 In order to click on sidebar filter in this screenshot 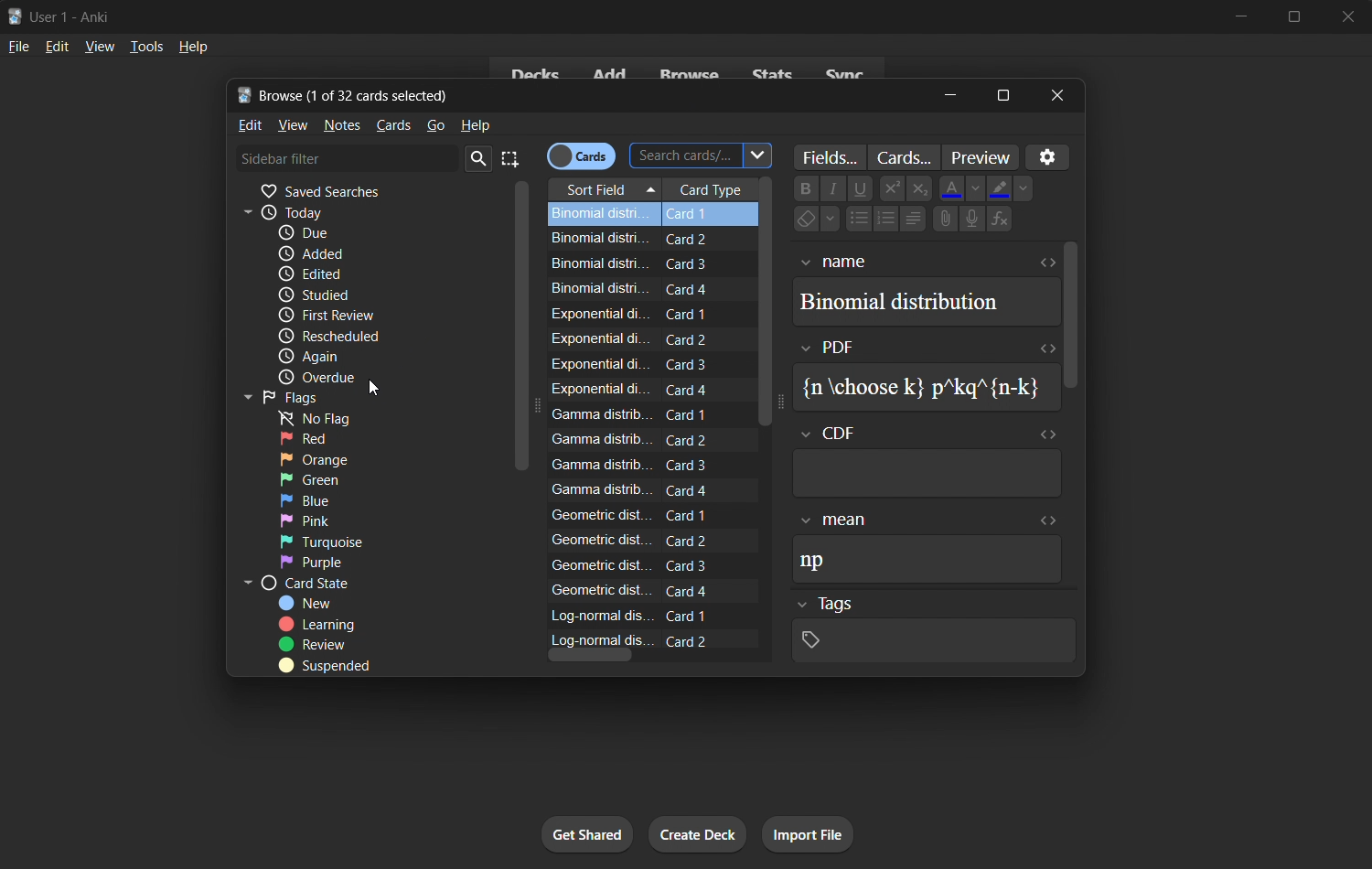, I will do `click(346, 160)`.